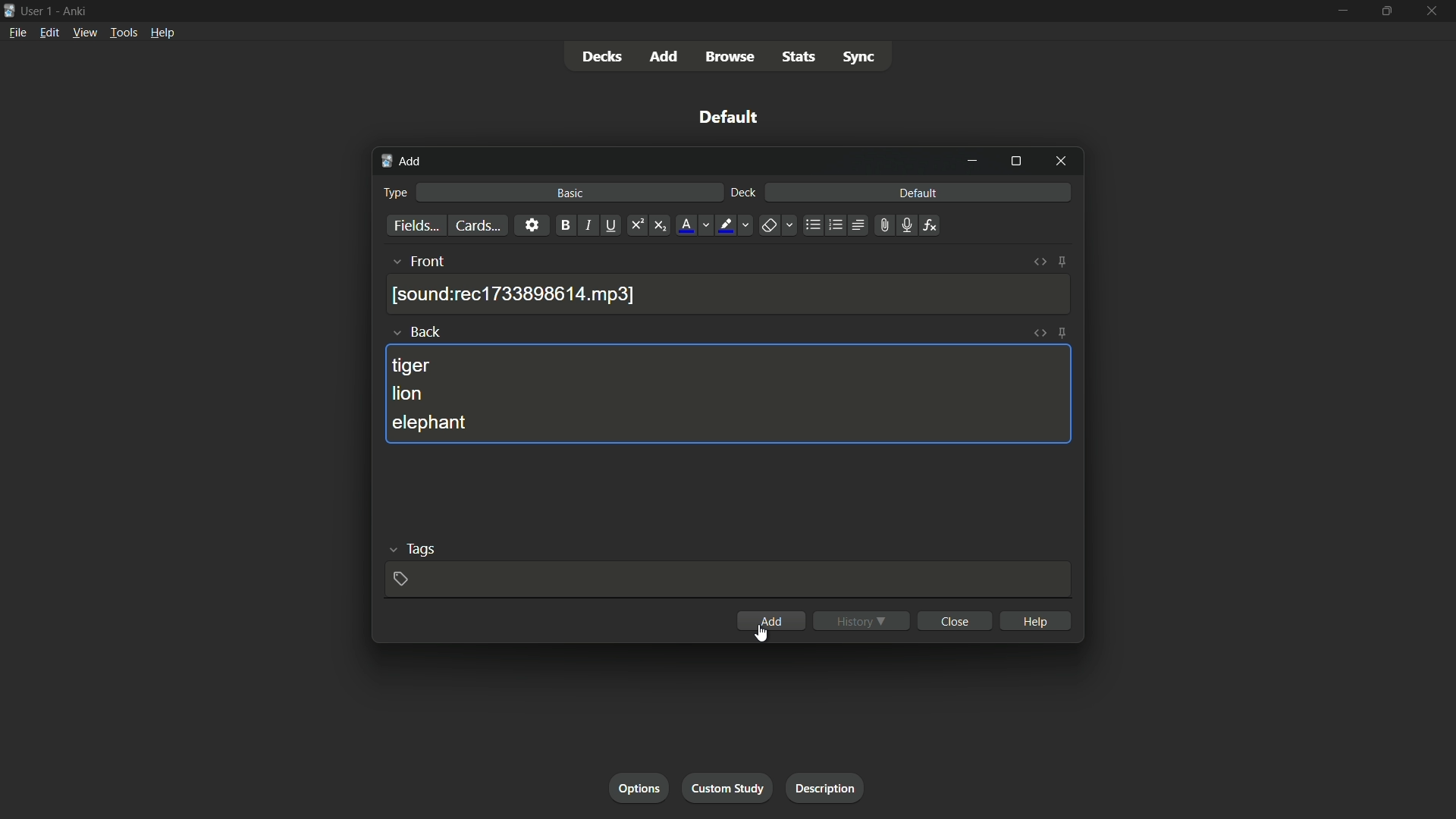  I want to click on equations, so click(930, 225).